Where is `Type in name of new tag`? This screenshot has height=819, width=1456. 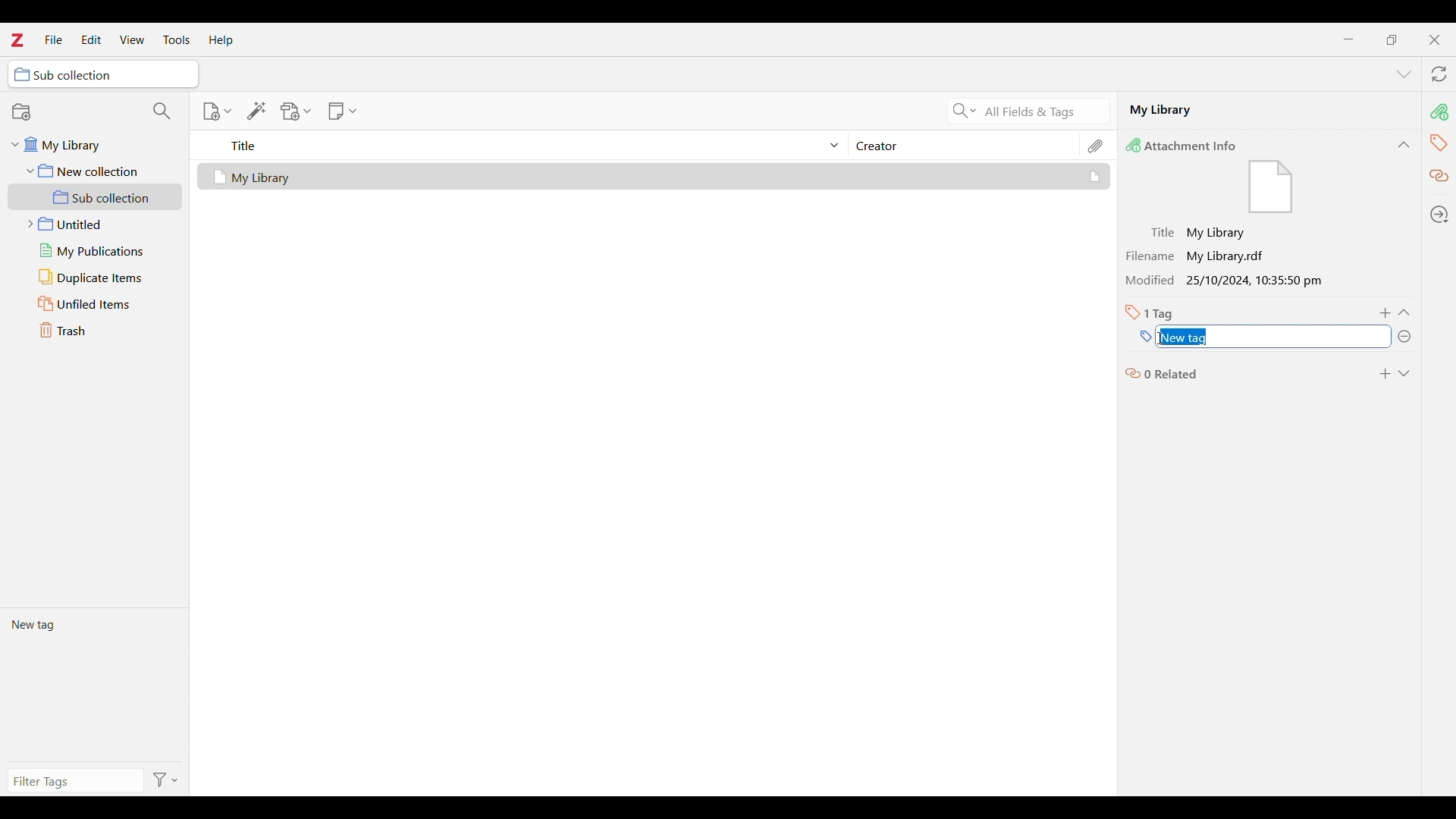 Type in name of new tag is located at coordinates (1146, 337).